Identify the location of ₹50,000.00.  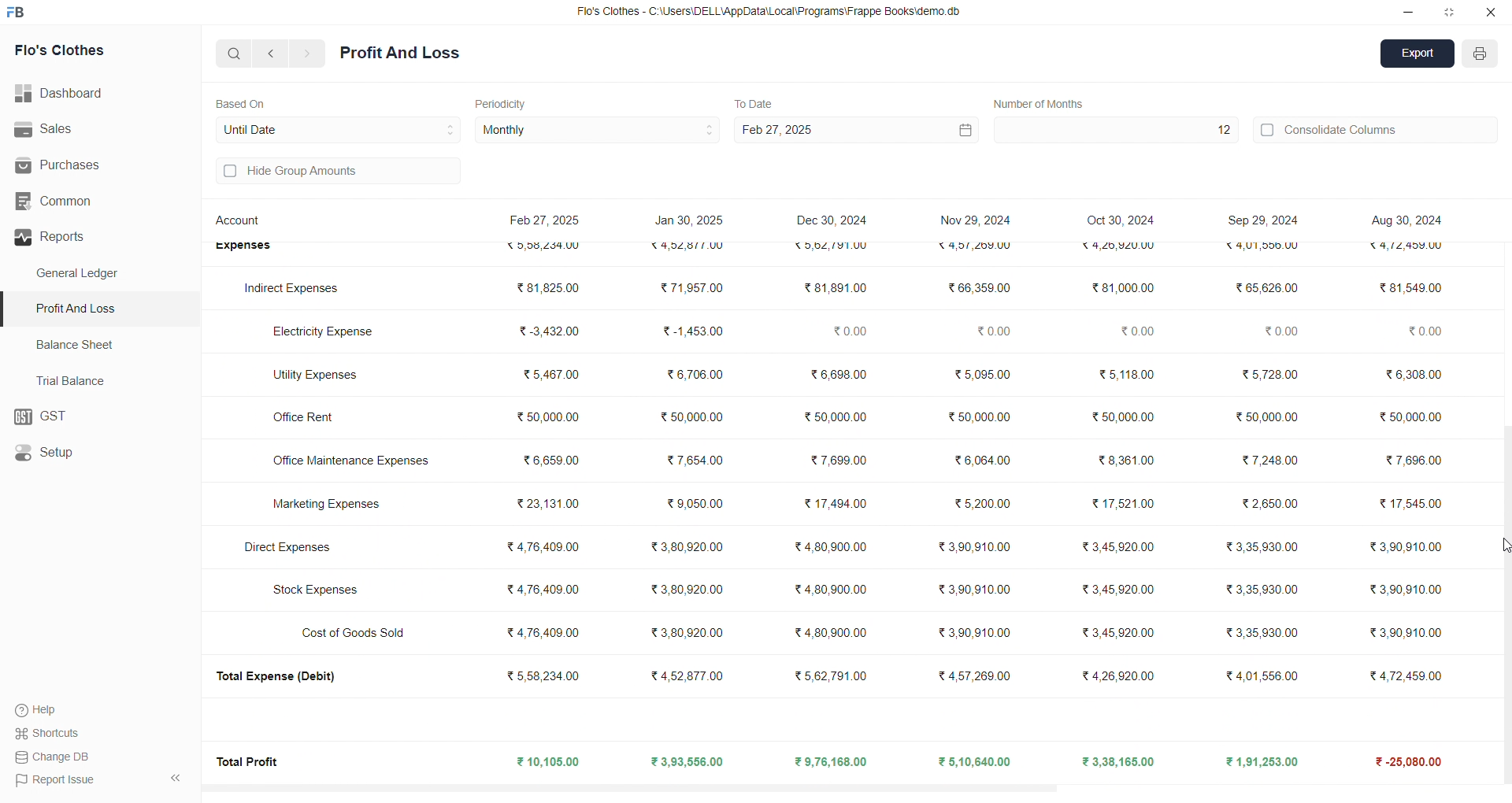
(980, 417).